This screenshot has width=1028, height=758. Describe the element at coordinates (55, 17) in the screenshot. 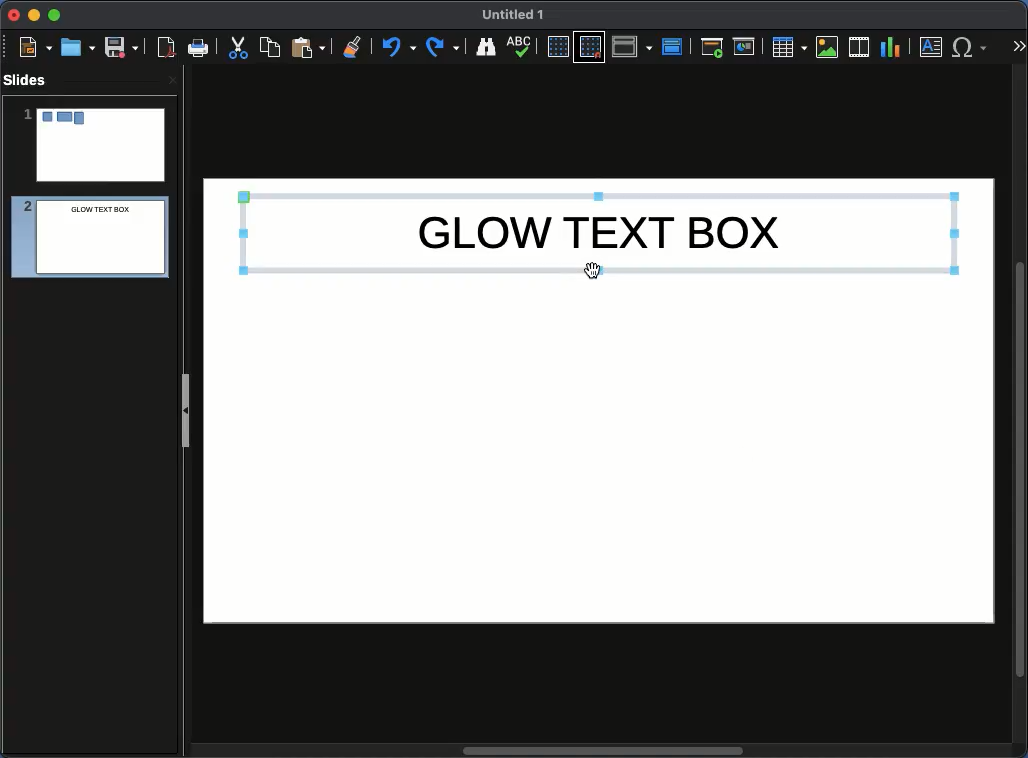

I see `Maximize` at that location.